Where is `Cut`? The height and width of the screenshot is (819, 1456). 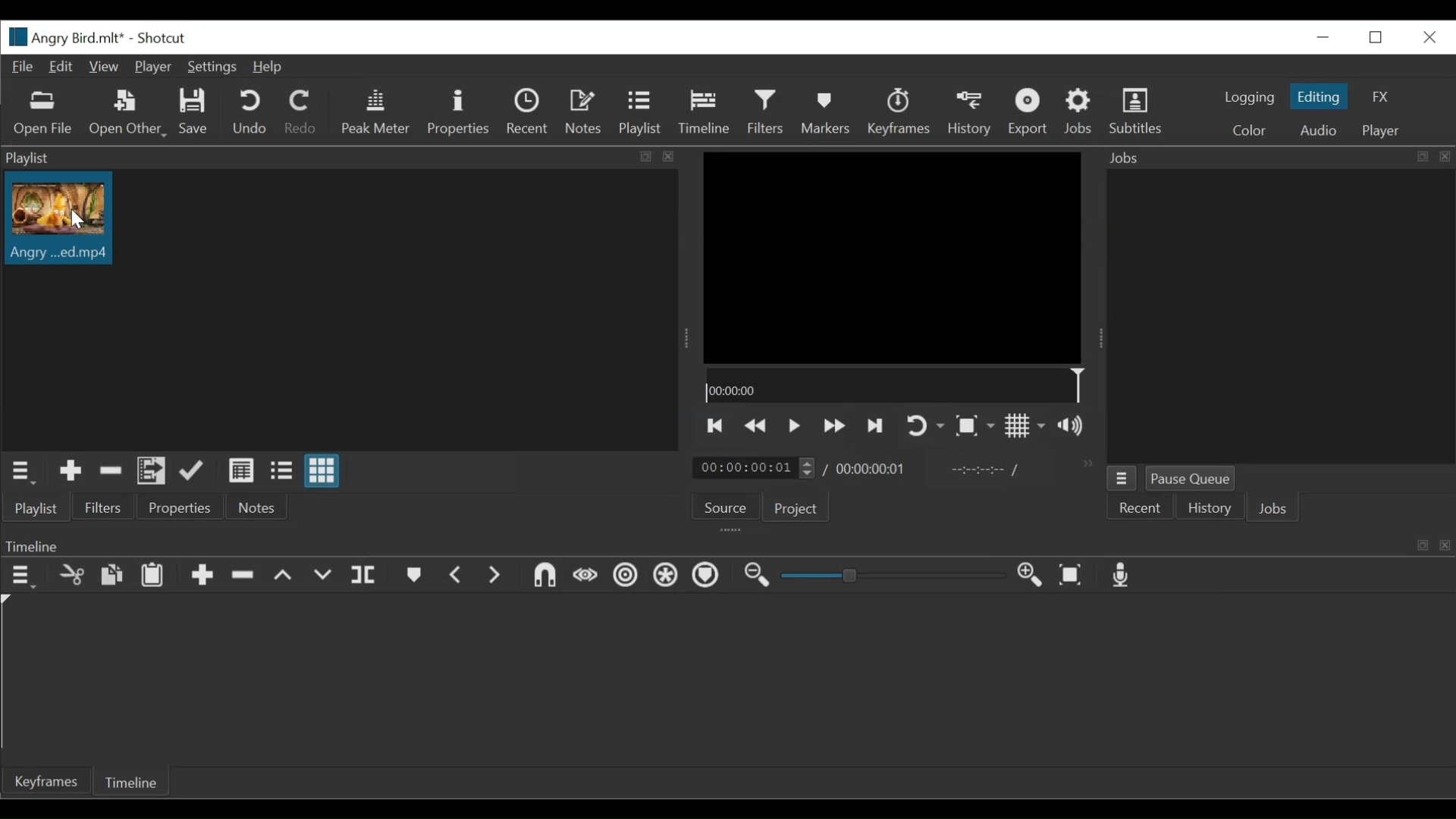 Cut is located at coordinates (71, 576).